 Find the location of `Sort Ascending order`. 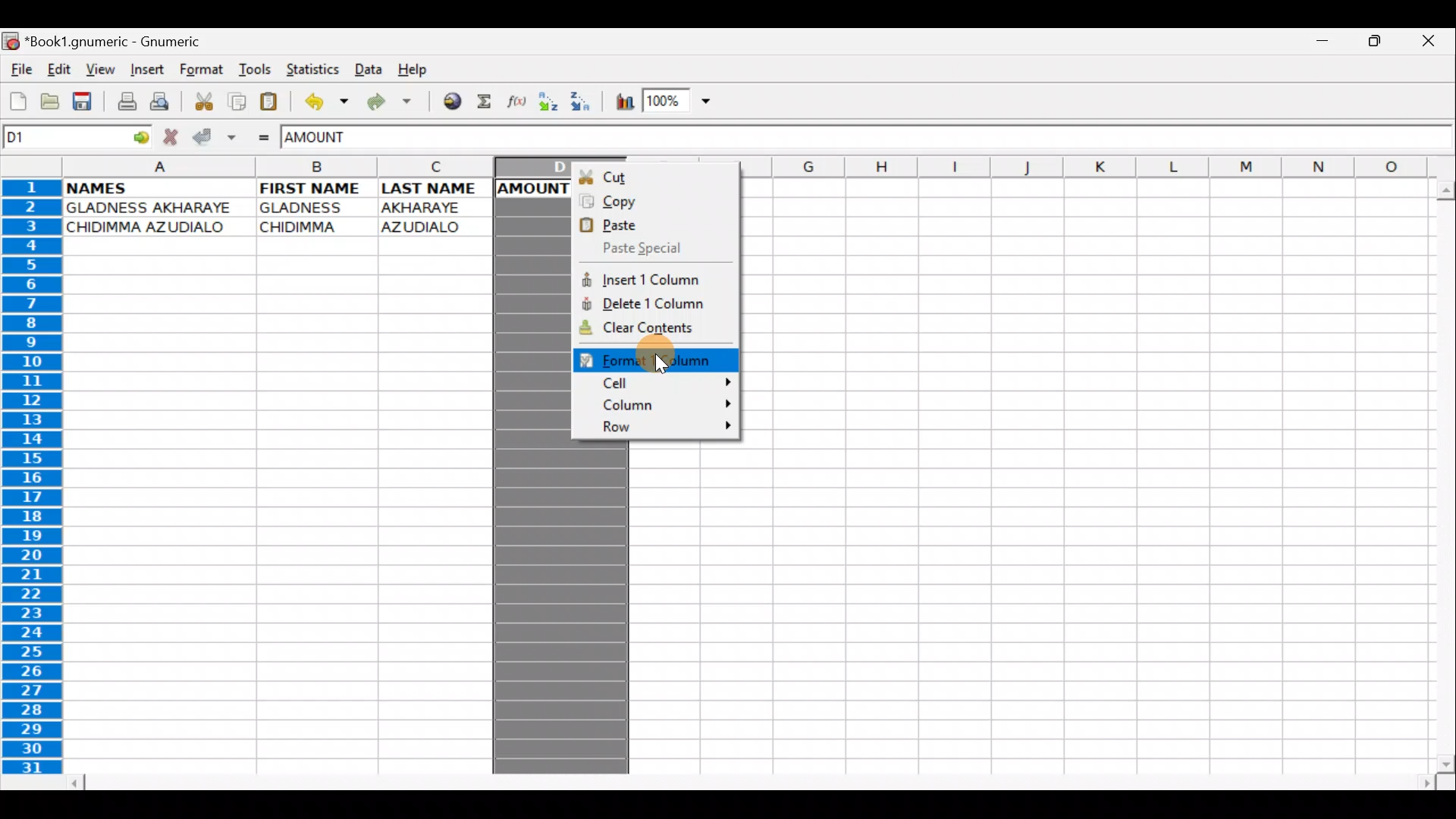

Sort Ascending order is located at coordinates (550, 102).